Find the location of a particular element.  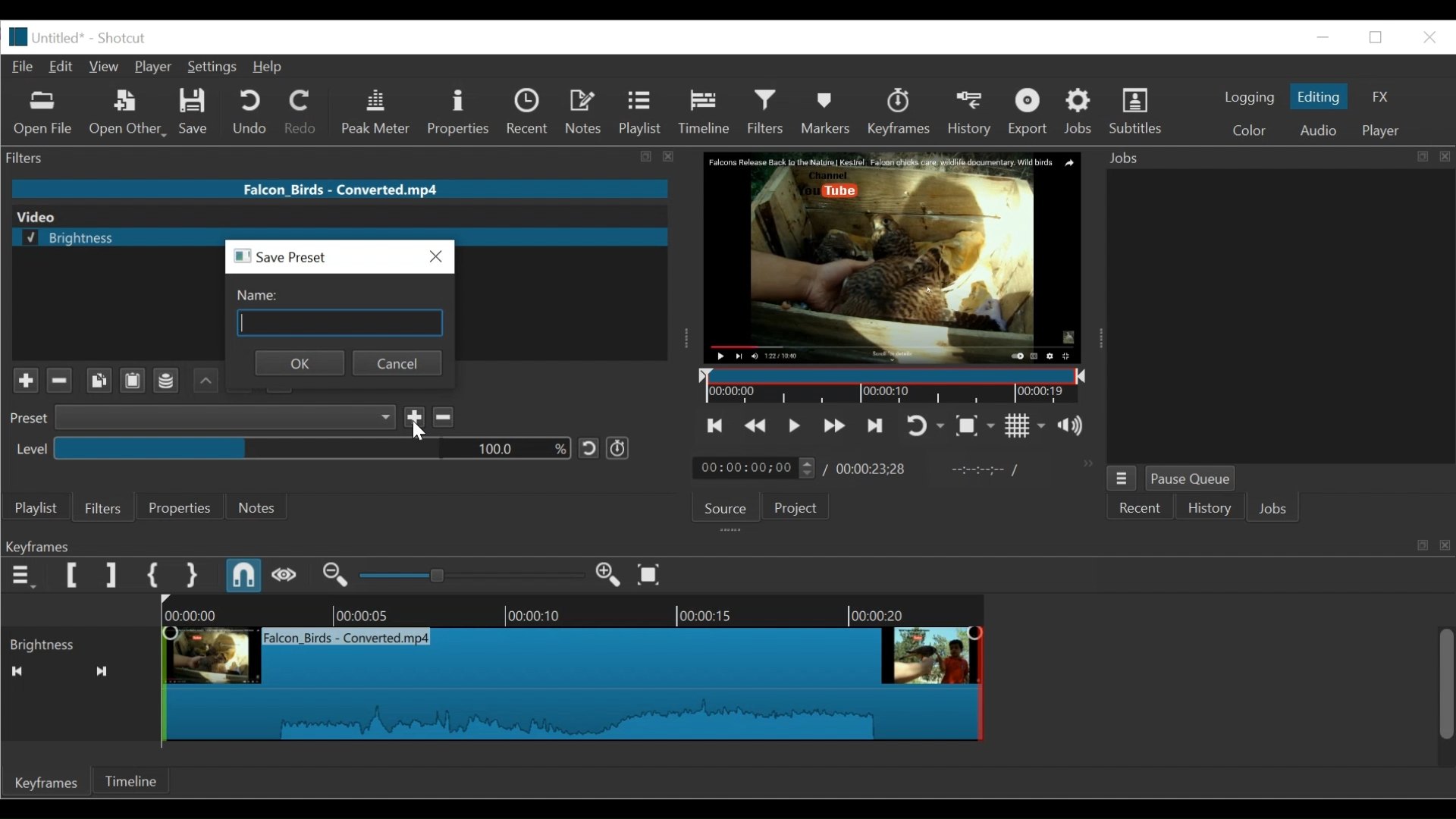

Open Other is located at coordinates (129, 113).